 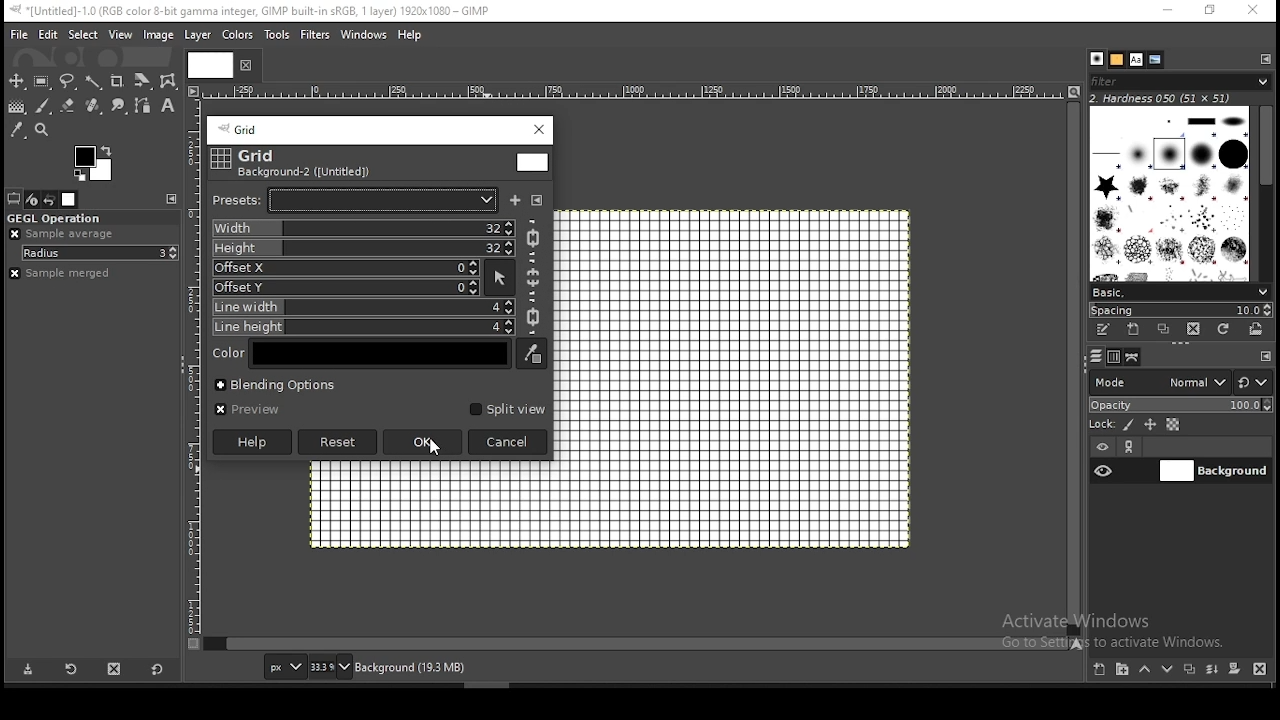 I want to click on line width:4, so click(x=363, y=308).